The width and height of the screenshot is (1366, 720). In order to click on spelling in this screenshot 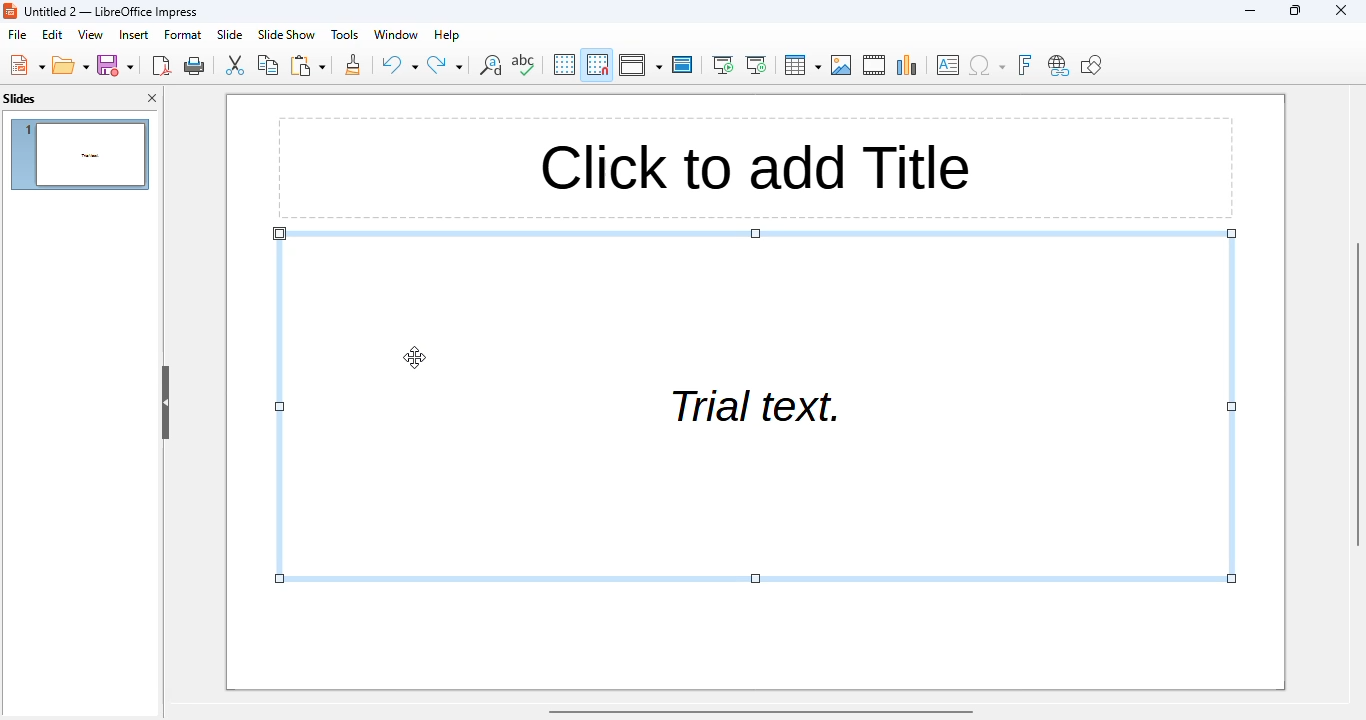, I will do `click(525, 65)`.